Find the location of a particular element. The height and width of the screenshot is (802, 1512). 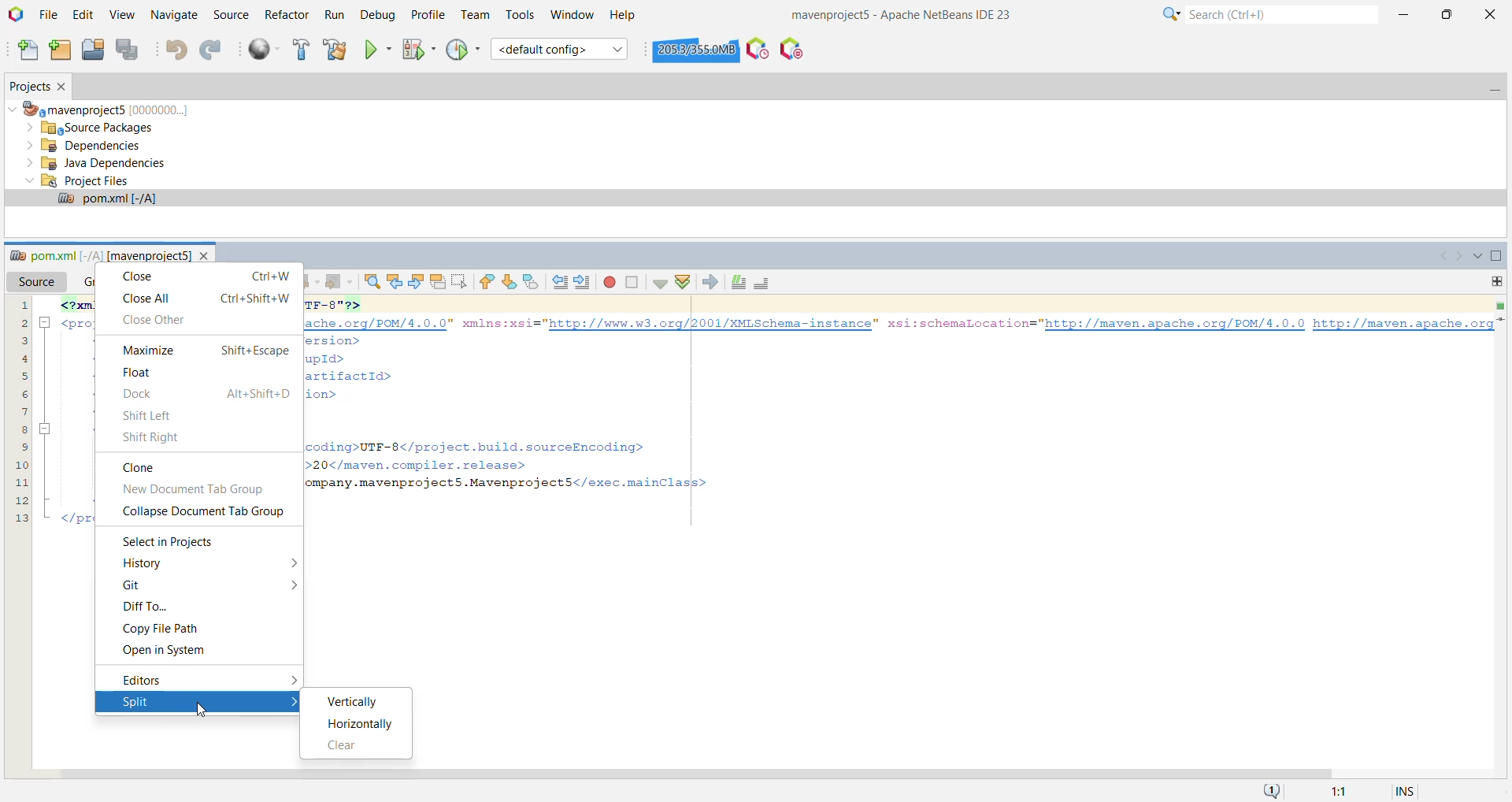

Pause I/O Checks is located at coordinates (790, 49).